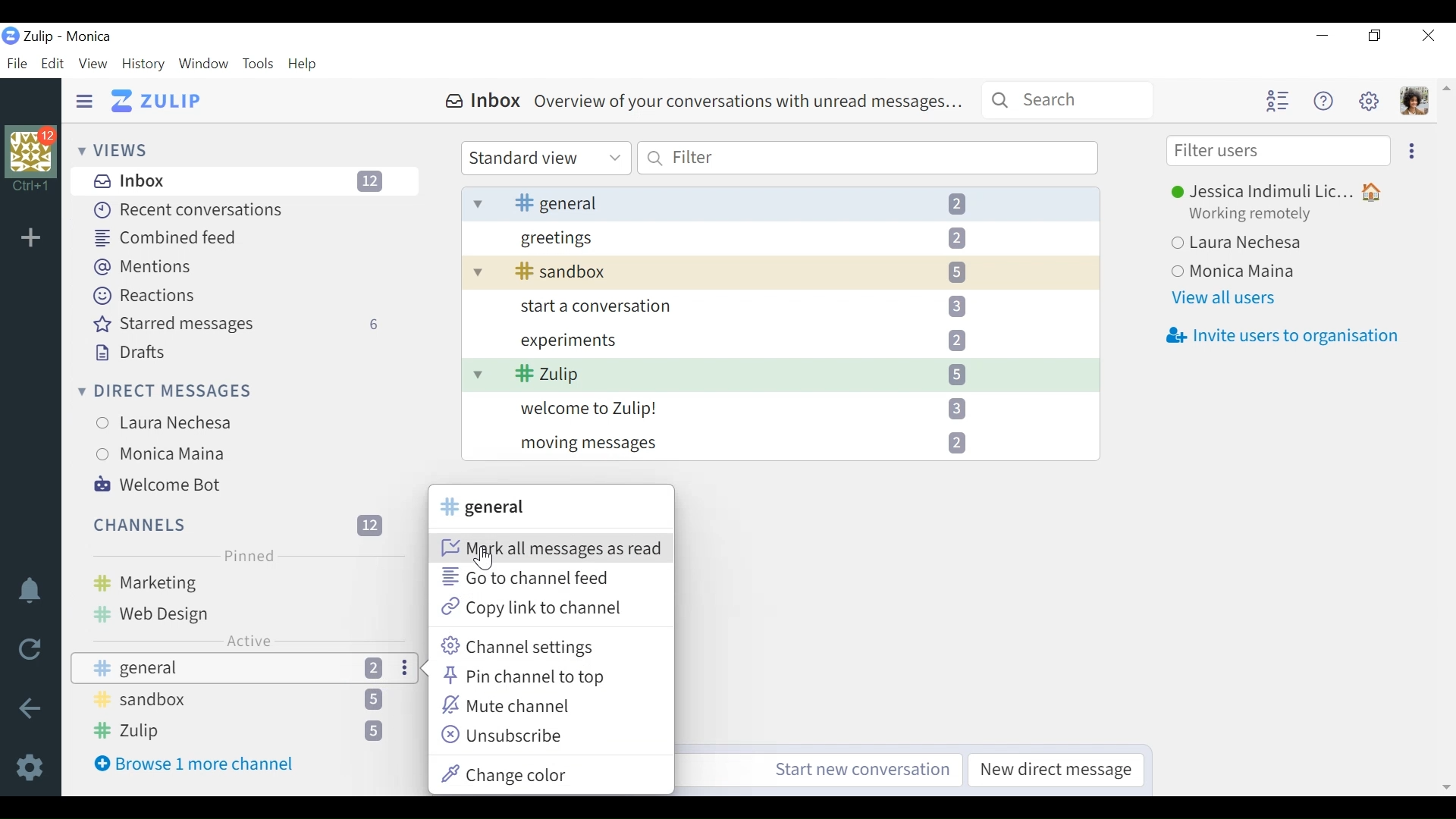 This screenshot has height=819, width=1456. I want to click on View, so click(92, 64).